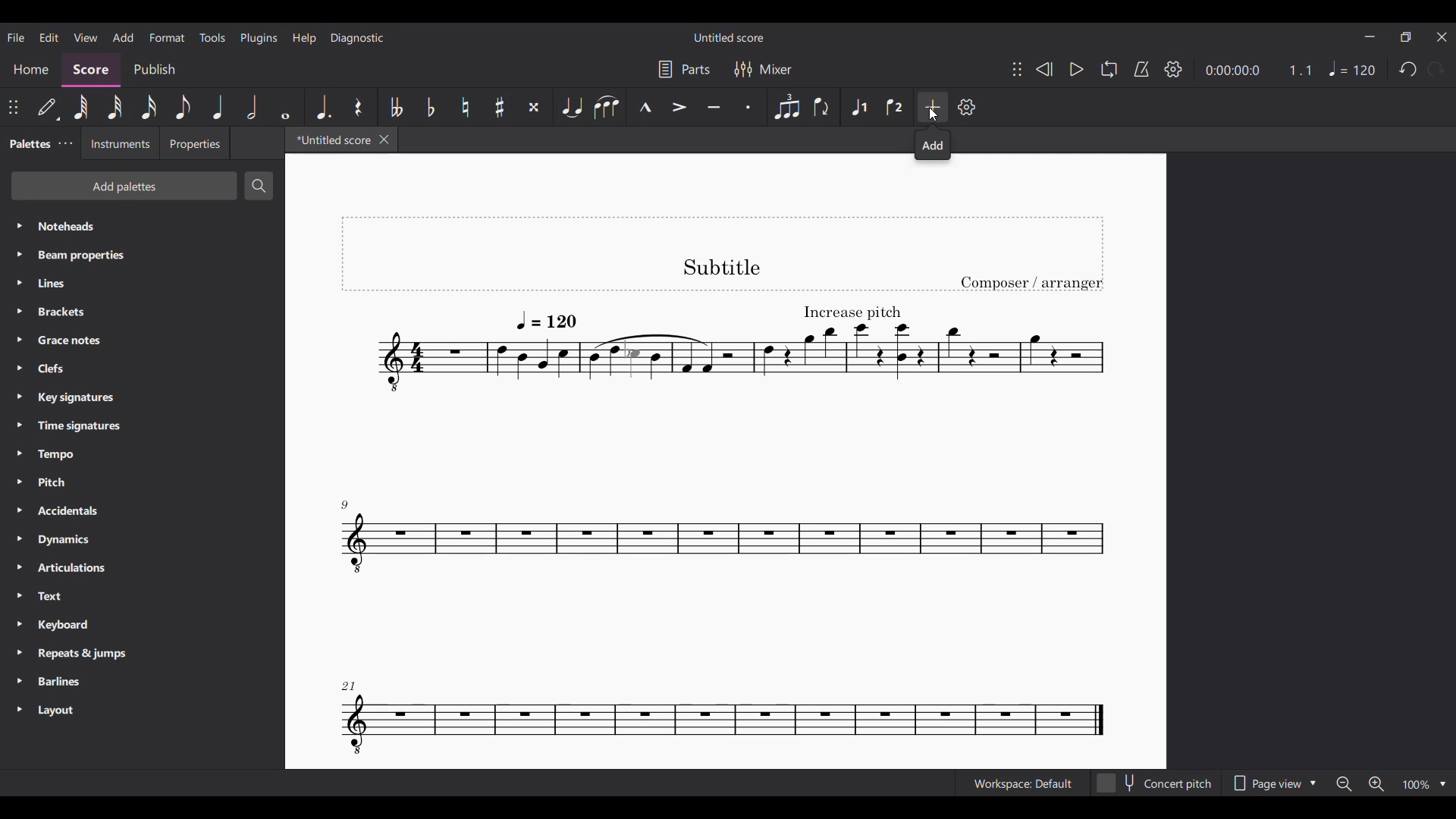 The image size is (1456, 819). What do you see at coordinates (645, 107) in the screenshot?
I see `Marcato` at bounding box center [645, 107].